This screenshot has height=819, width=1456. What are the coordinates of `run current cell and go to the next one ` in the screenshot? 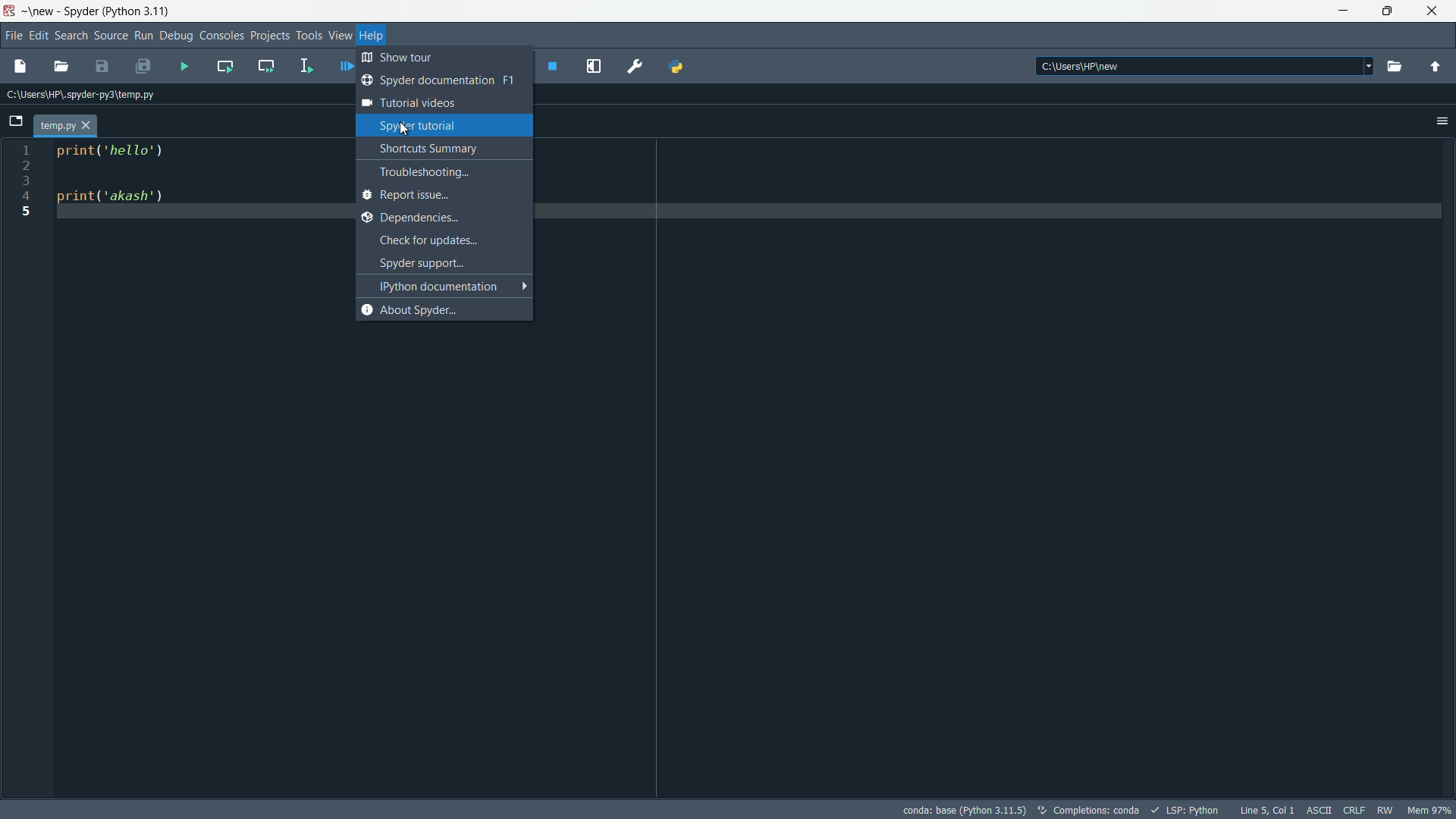 It's located at (265, 64).